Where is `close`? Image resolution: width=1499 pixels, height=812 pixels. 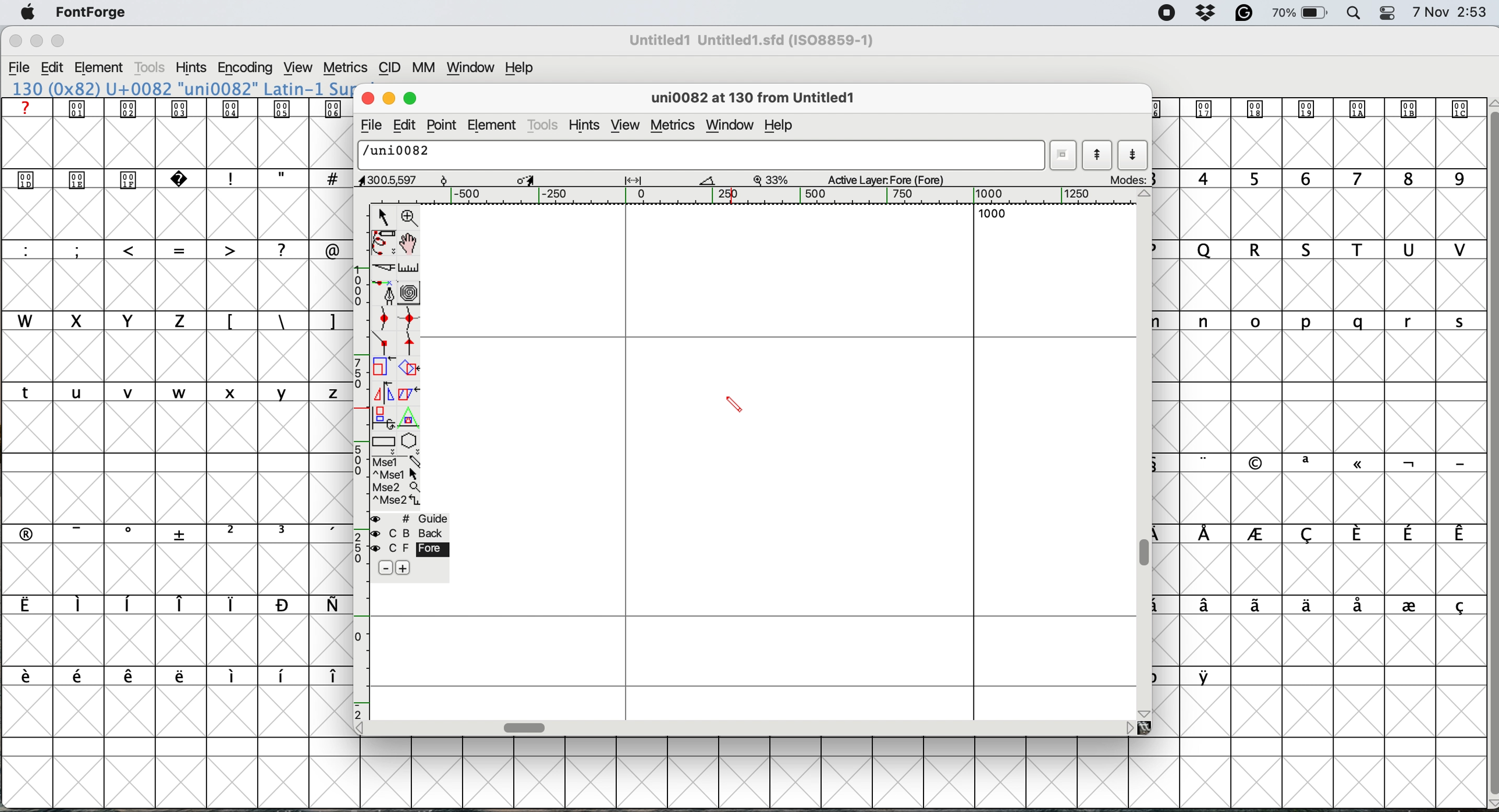
close is located at coordinates (15, 42).